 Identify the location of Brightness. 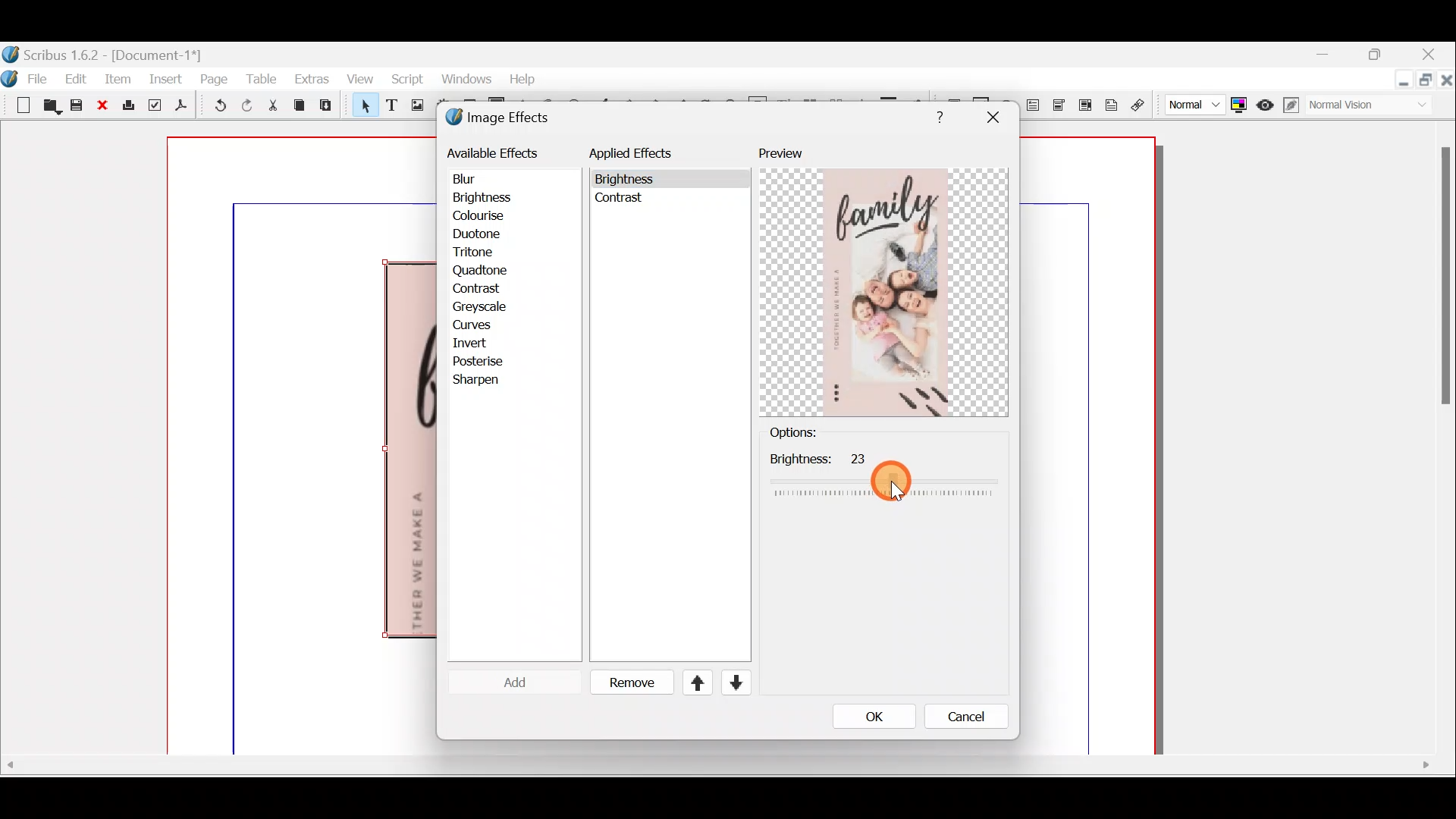
(502, 196).